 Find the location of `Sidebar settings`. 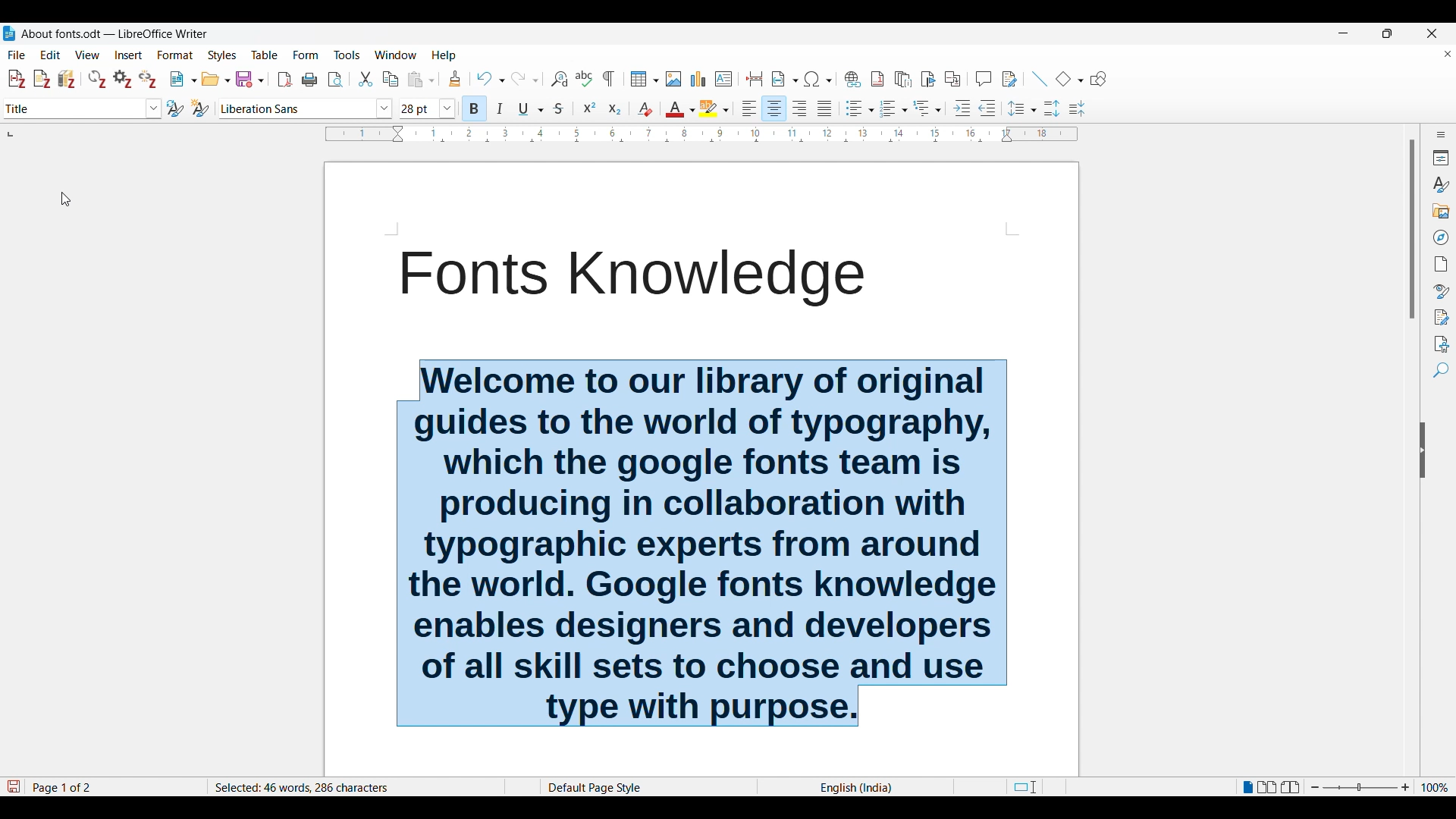

Sidebar settings is located at coordinates (1441, 134).